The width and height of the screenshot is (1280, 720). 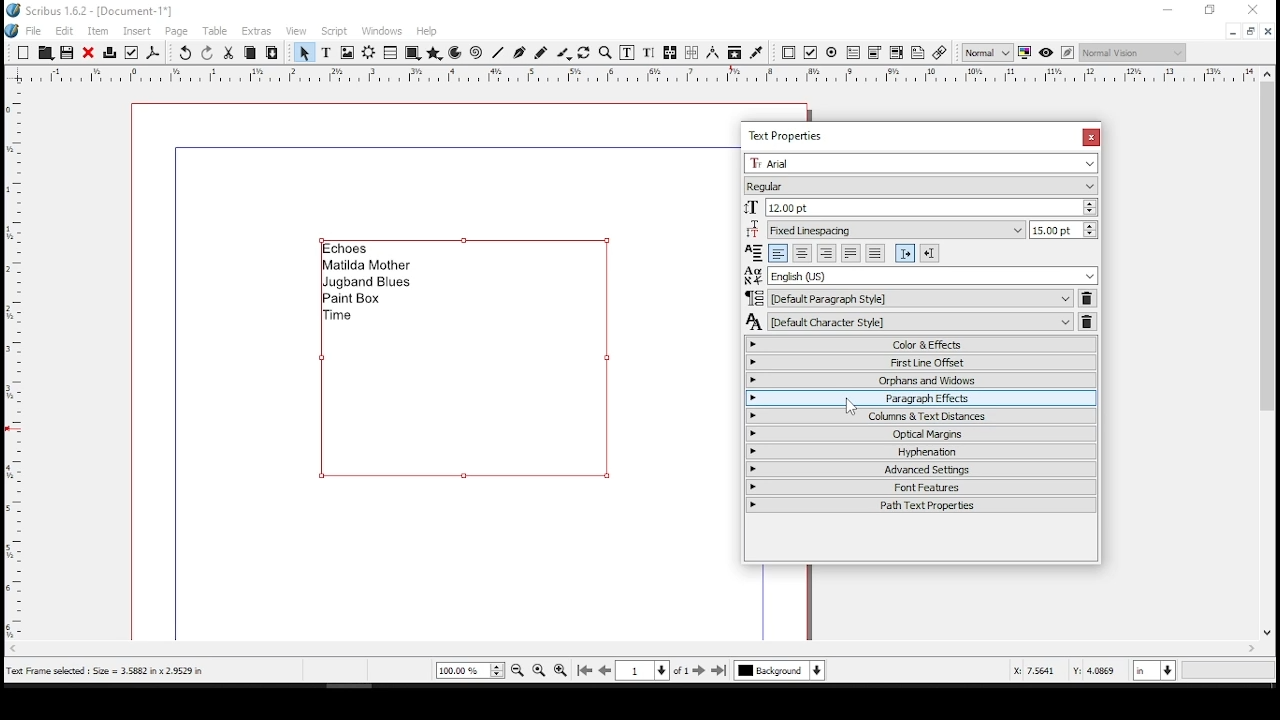 What do you see at coordinates (1152, 672) in the screenshot?
I see `units` at bounding box center [1152, 672].